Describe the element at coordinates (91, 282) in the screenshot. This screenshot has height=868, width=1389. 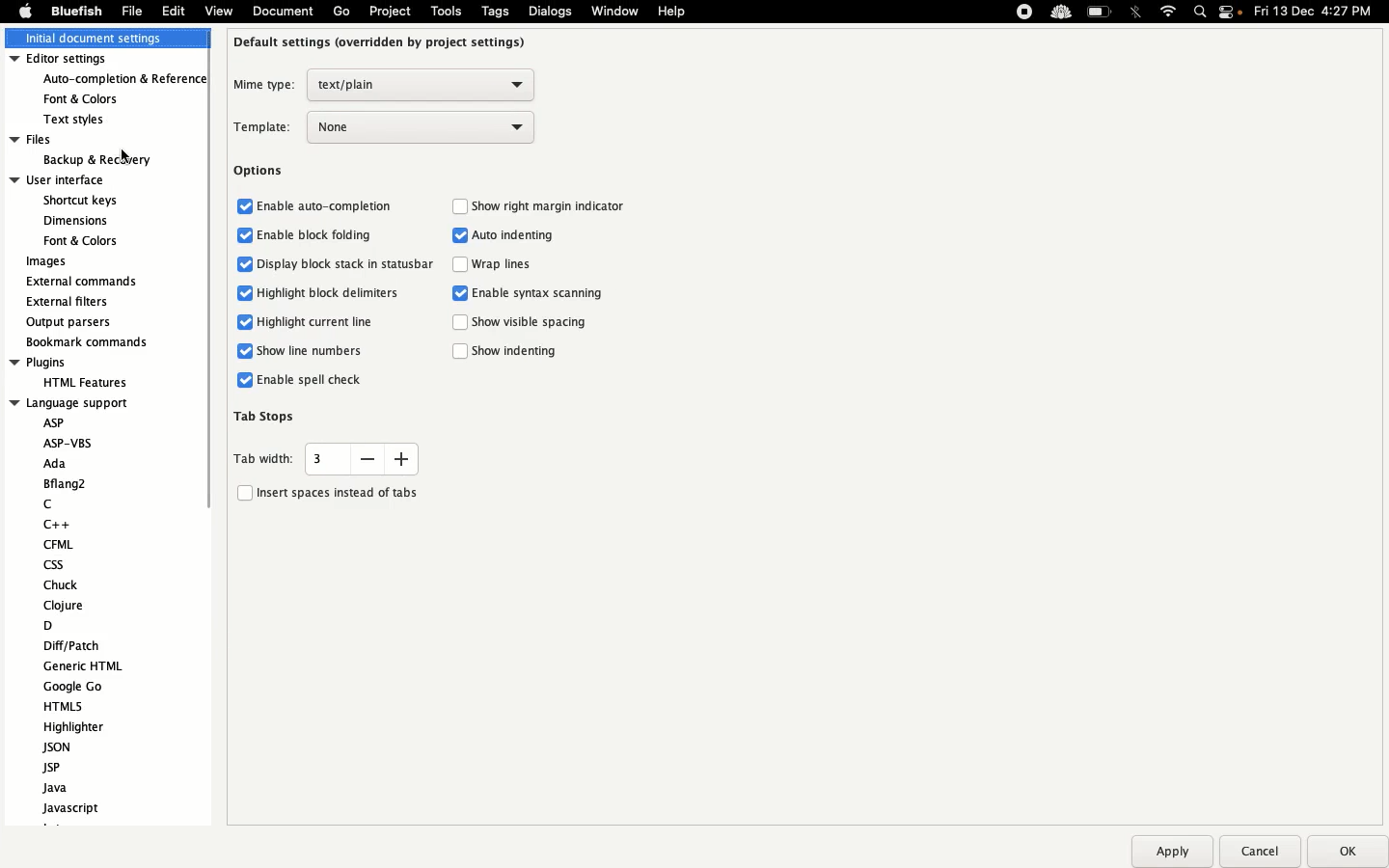
I see `External commands` at that location.